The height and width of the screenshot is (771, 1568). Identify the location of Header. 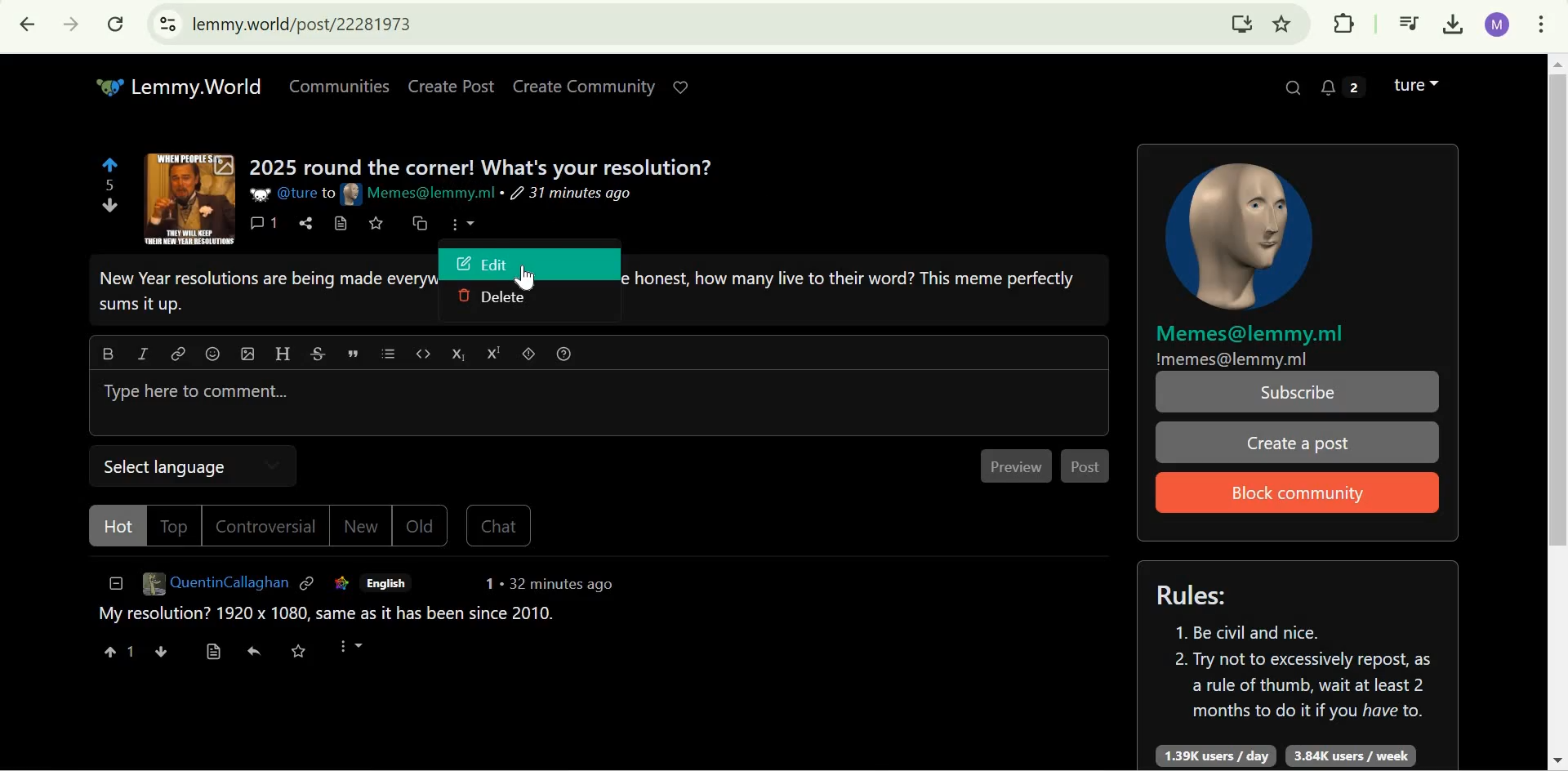
(282, 353).